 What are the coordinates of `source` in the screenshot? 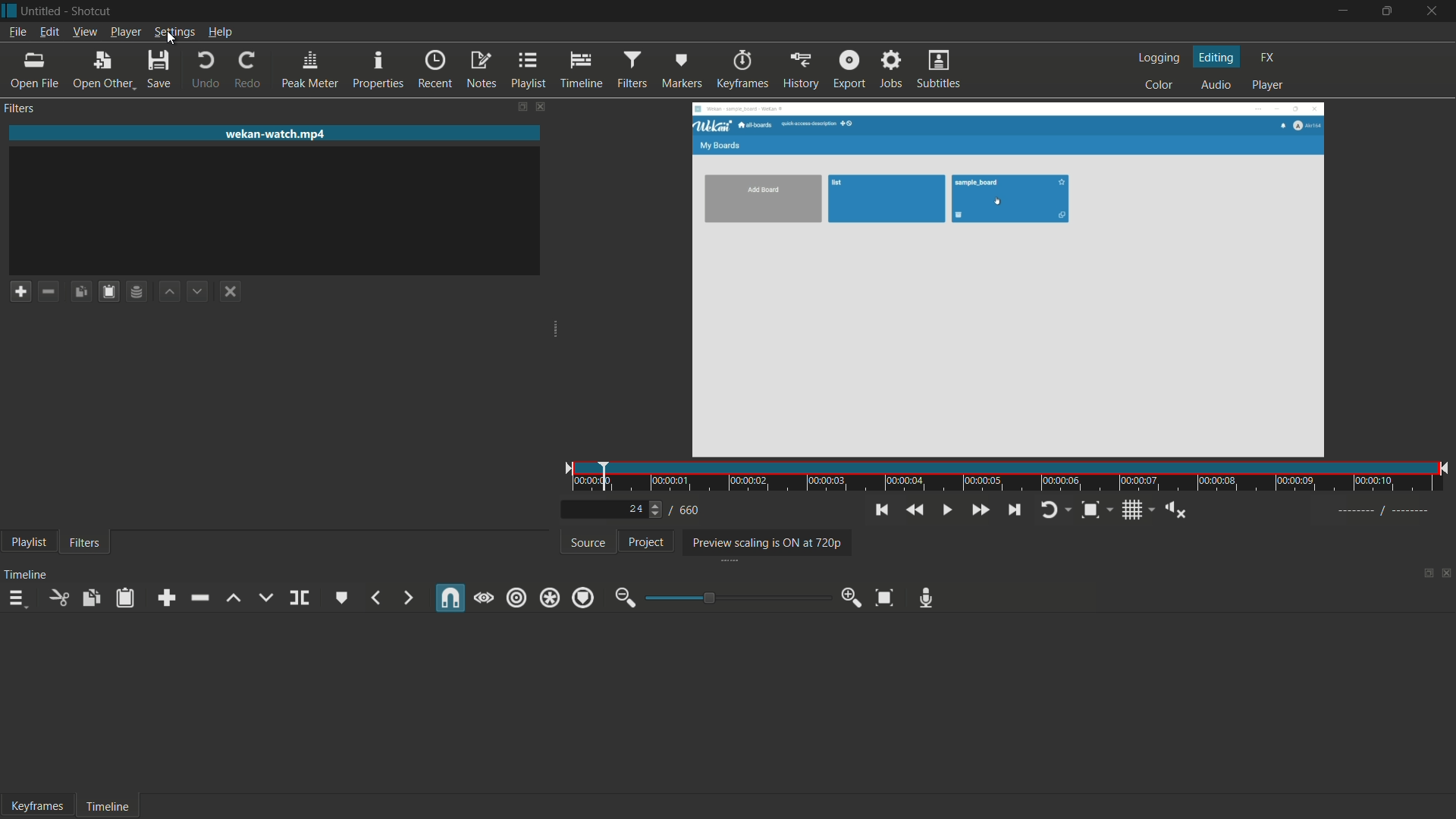 It's located at (588, 542).